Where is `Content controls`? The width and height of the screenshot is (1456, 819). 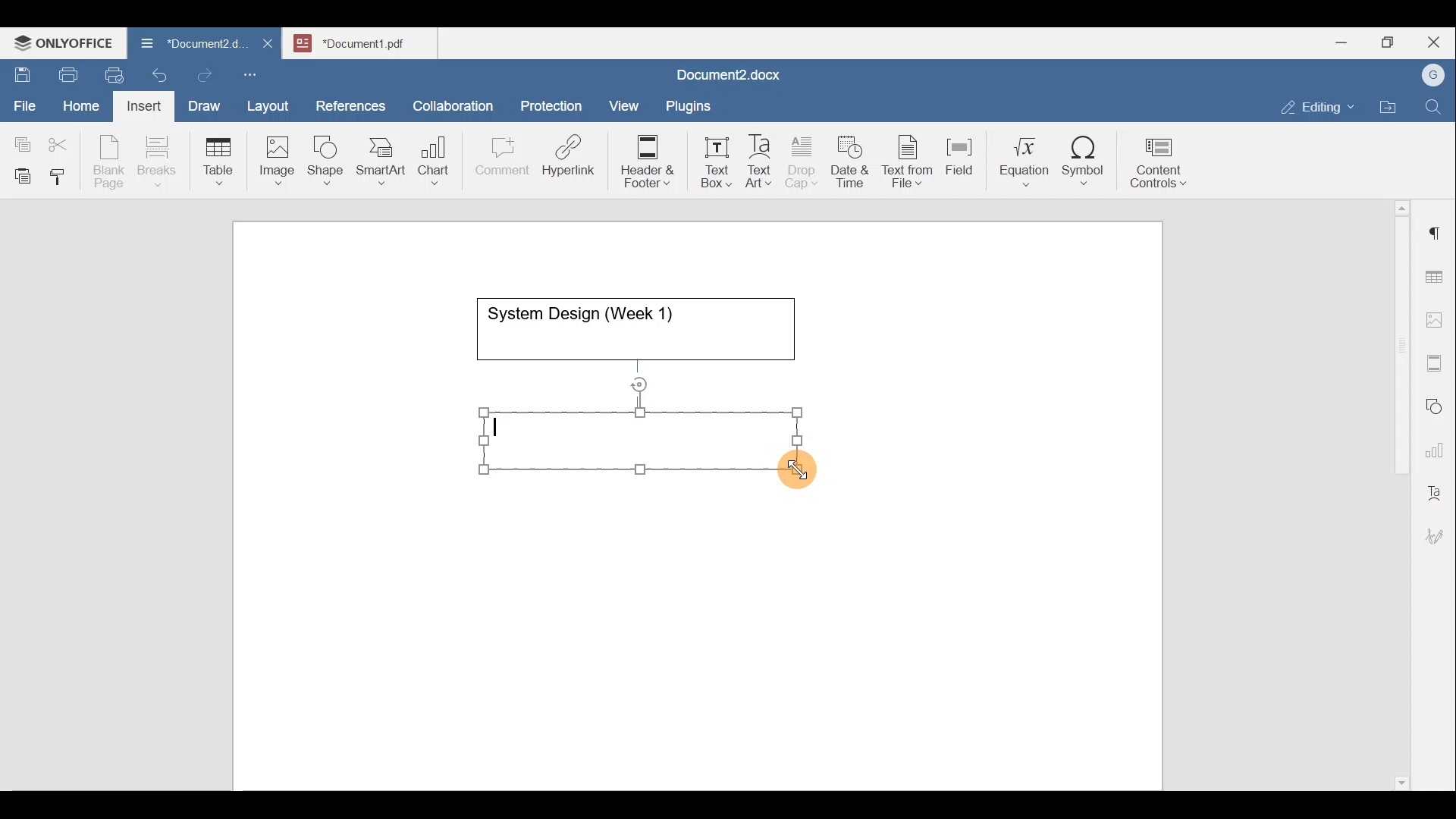 Content controls is located at coordinates (1161, 168).